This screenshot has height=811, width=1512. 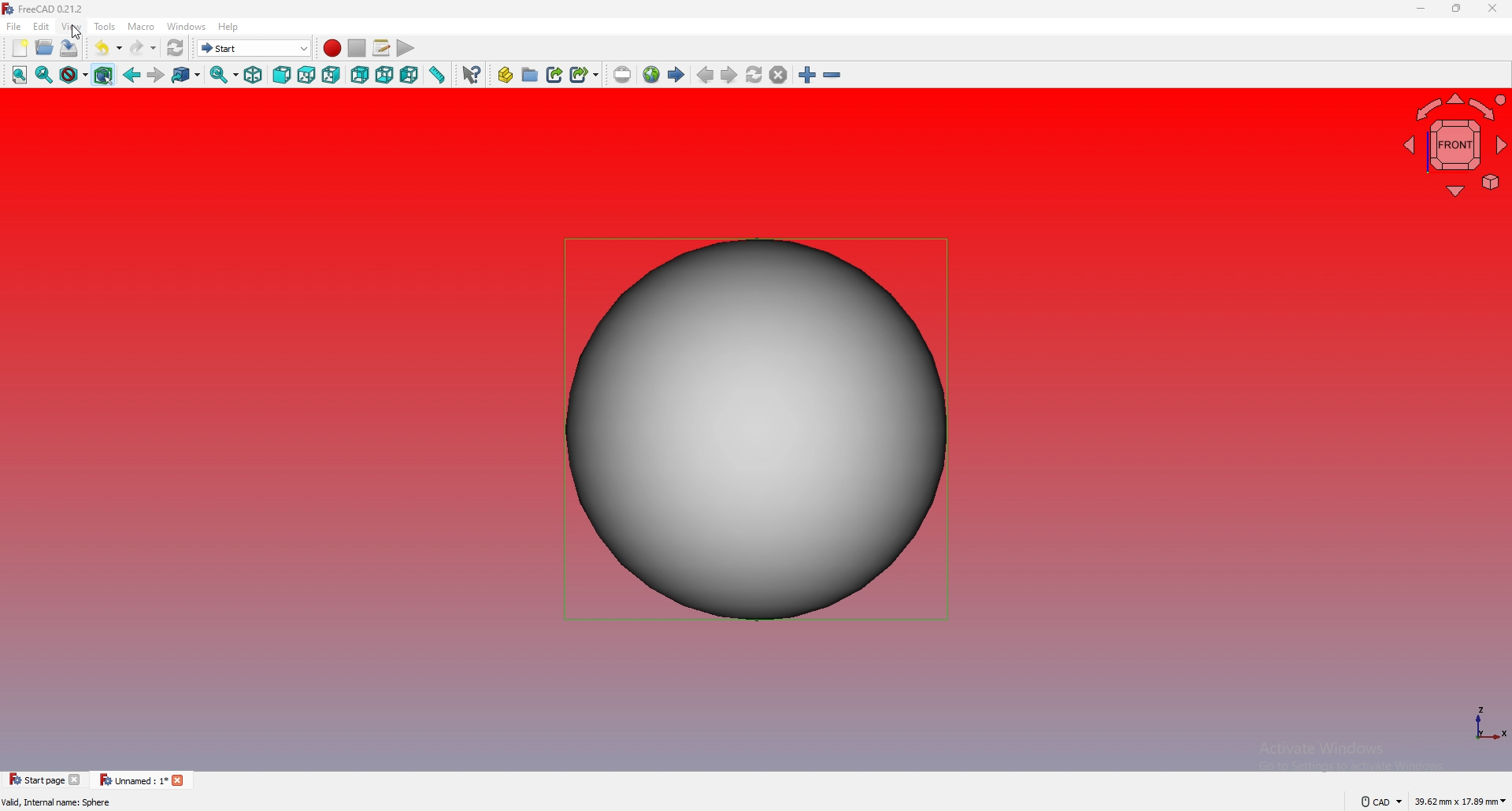 I want to click on cad navigation, so click(x=1381, y=802).